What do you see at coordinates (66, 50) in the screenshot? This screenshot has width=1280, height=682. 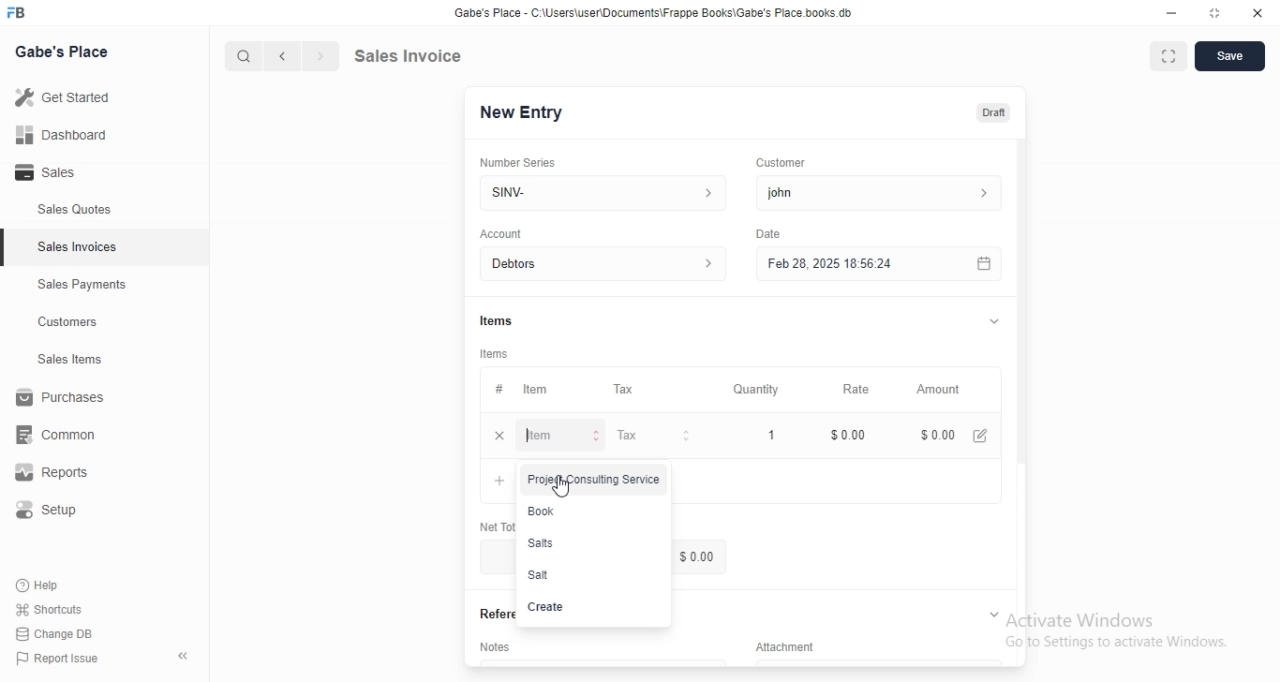 I see `Gabe's Place` at bounding box center [66, 50].